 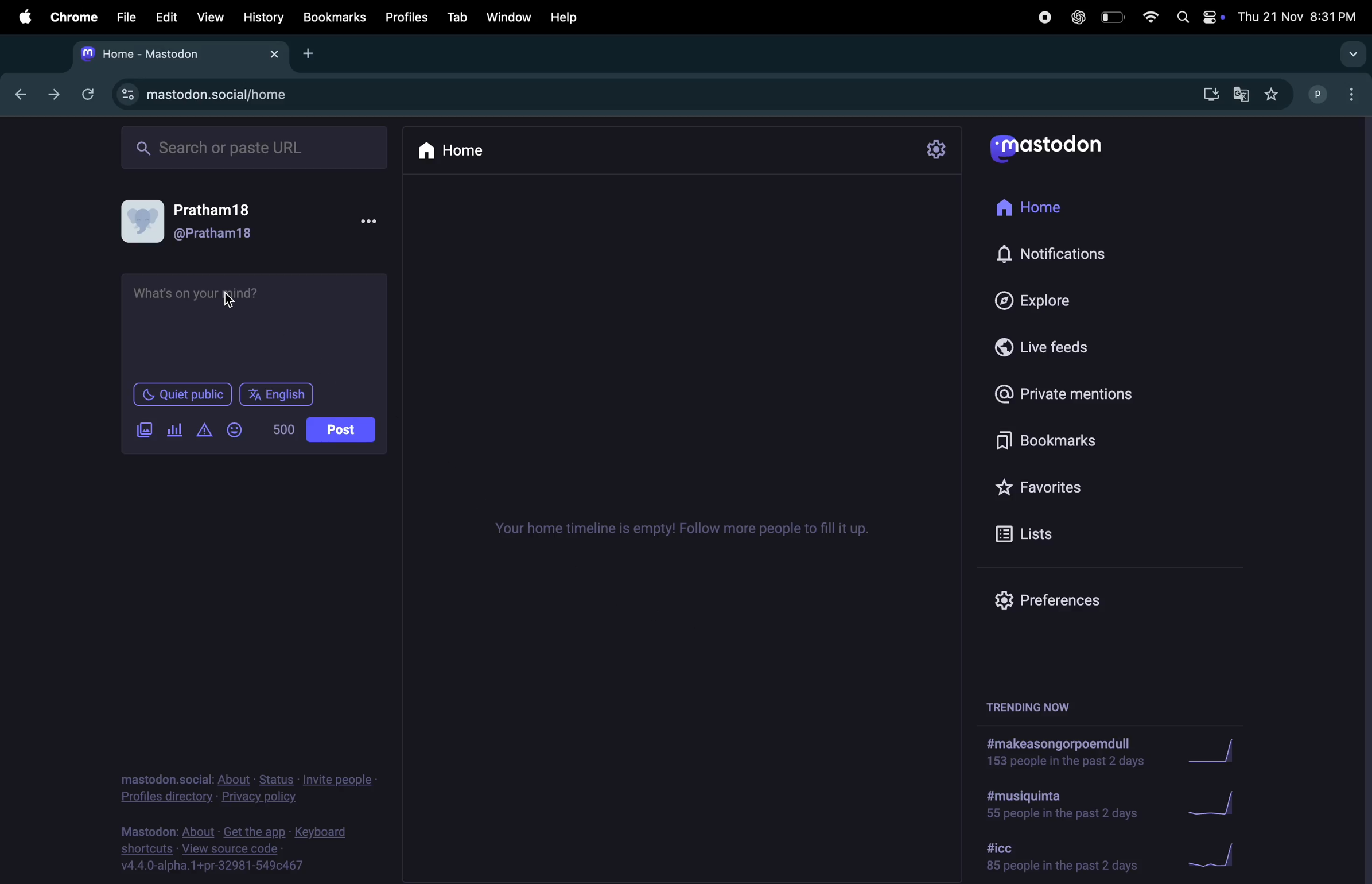 I want to click on graph, so click(x=1216, y=752).